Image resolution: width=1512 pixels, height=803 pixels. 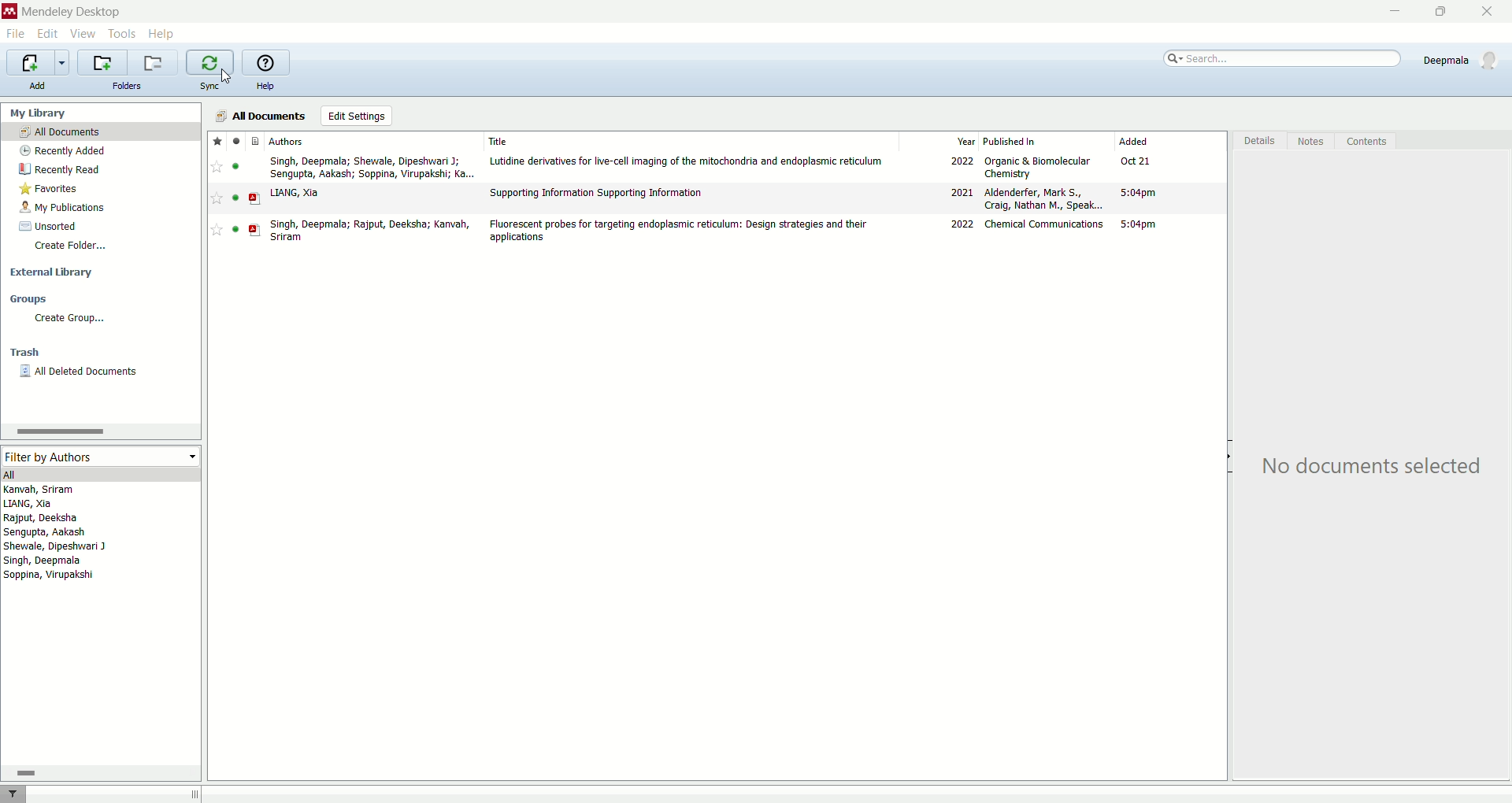 I want to click on my oublications, so click(x=62, y=209).